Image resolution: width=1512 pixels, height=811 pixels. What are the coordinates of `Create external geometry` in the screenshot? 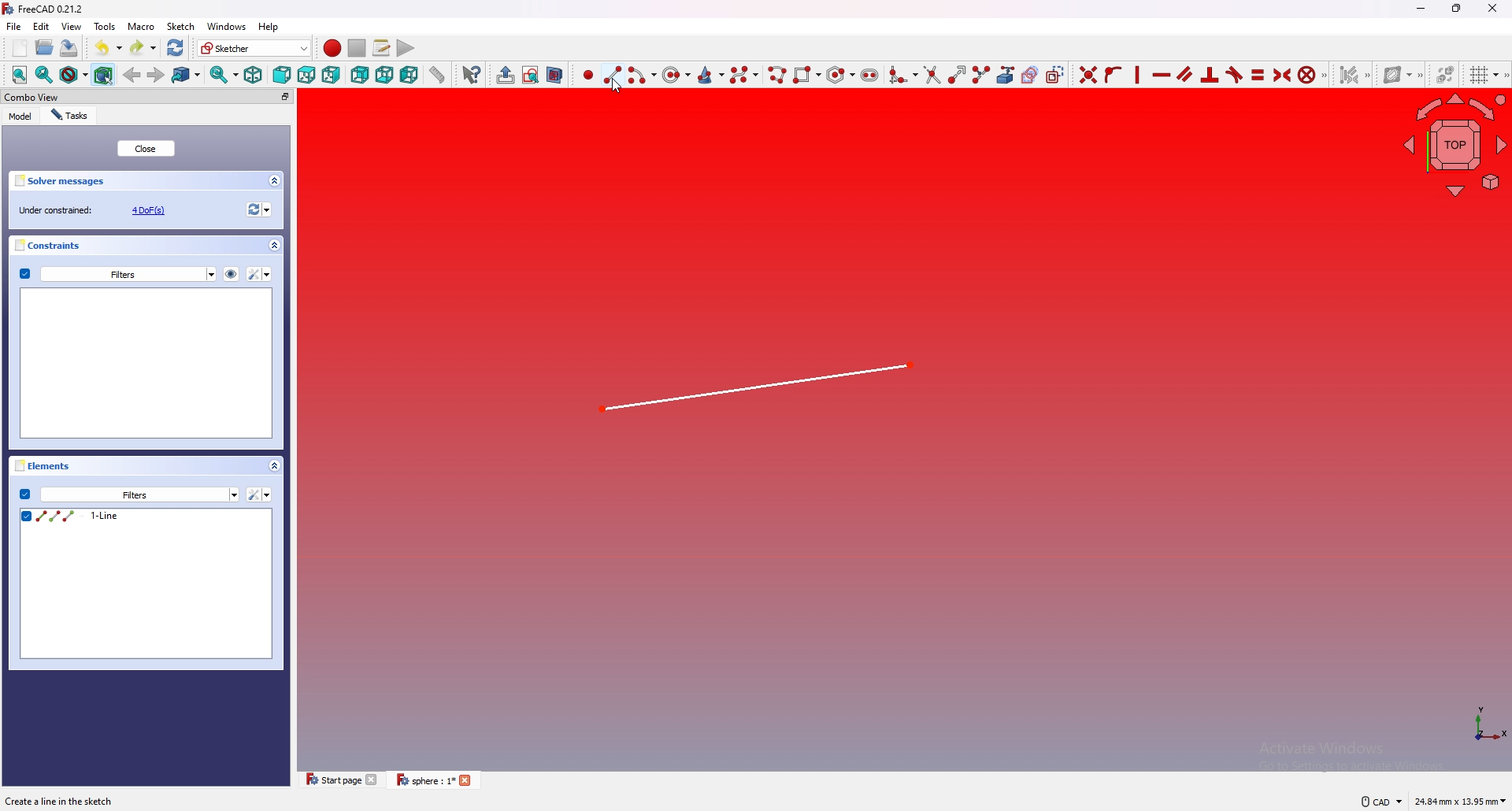 It's located at (1004, 75).